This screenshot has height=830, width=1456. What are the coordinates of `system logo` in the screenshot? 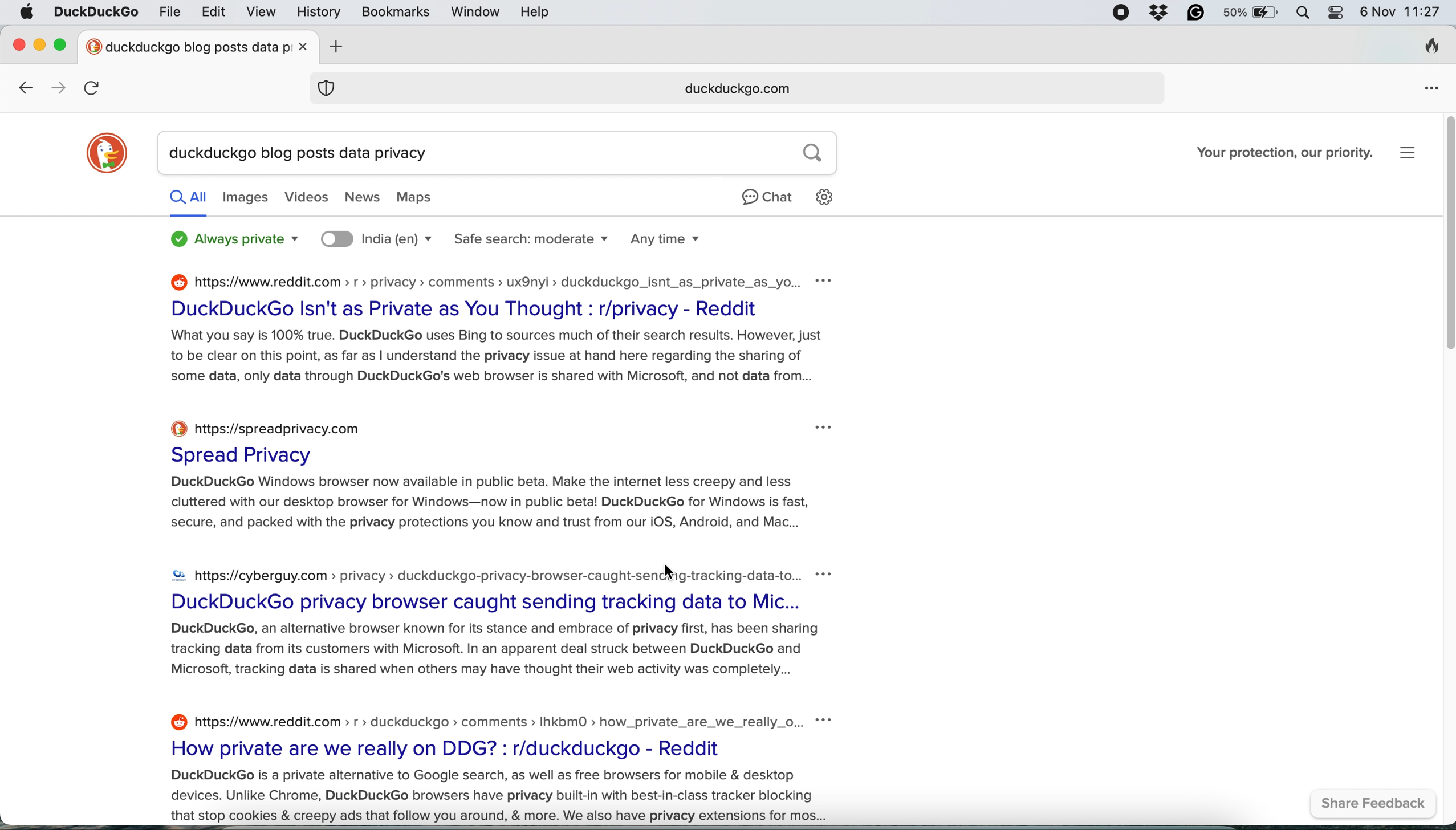 It's located at (29, 14).